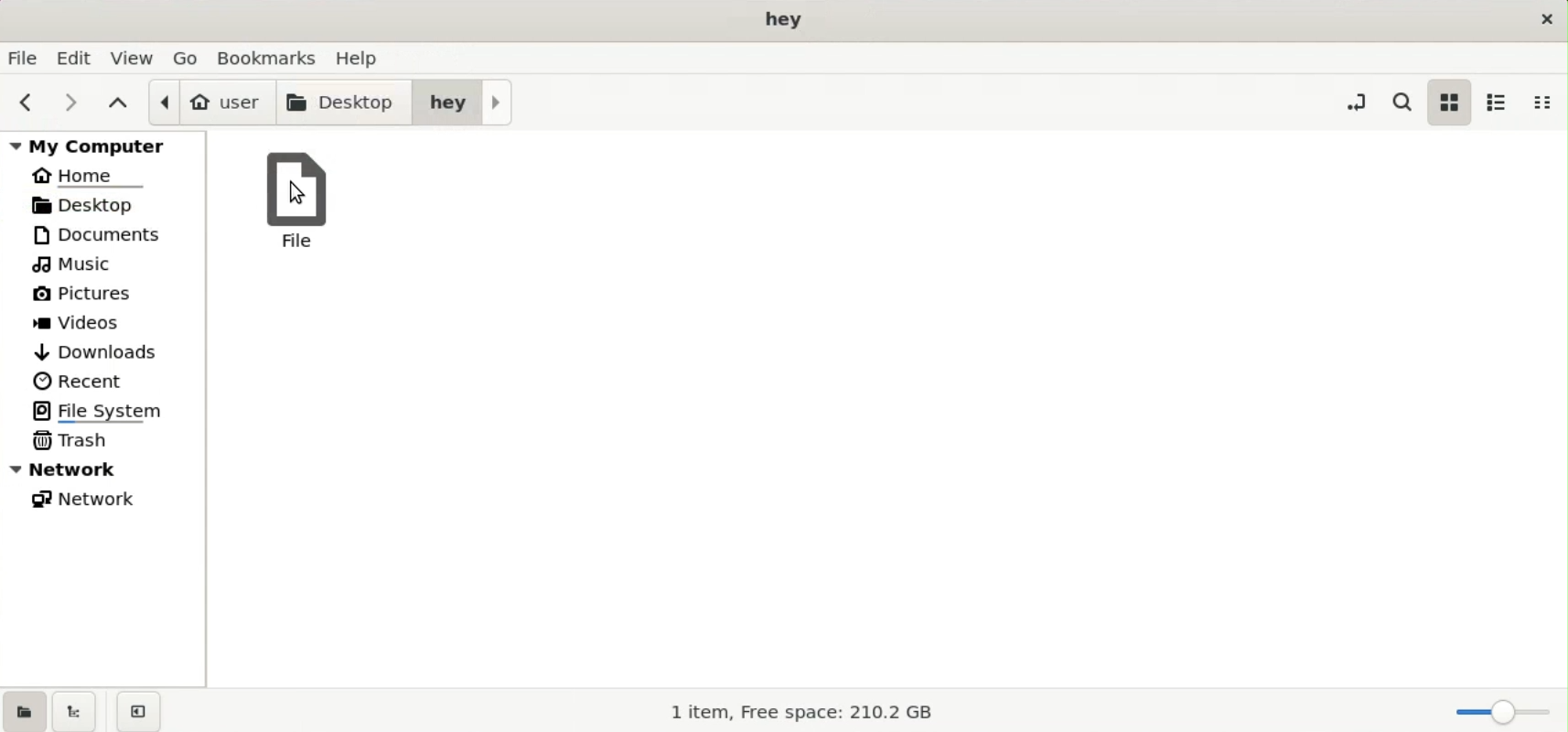 The width and height of the screenshot is (1568, 732). What do you see at coordinates (117, 102) in the screenshot?
I see `parent folders` at bounding box center [117, 102].